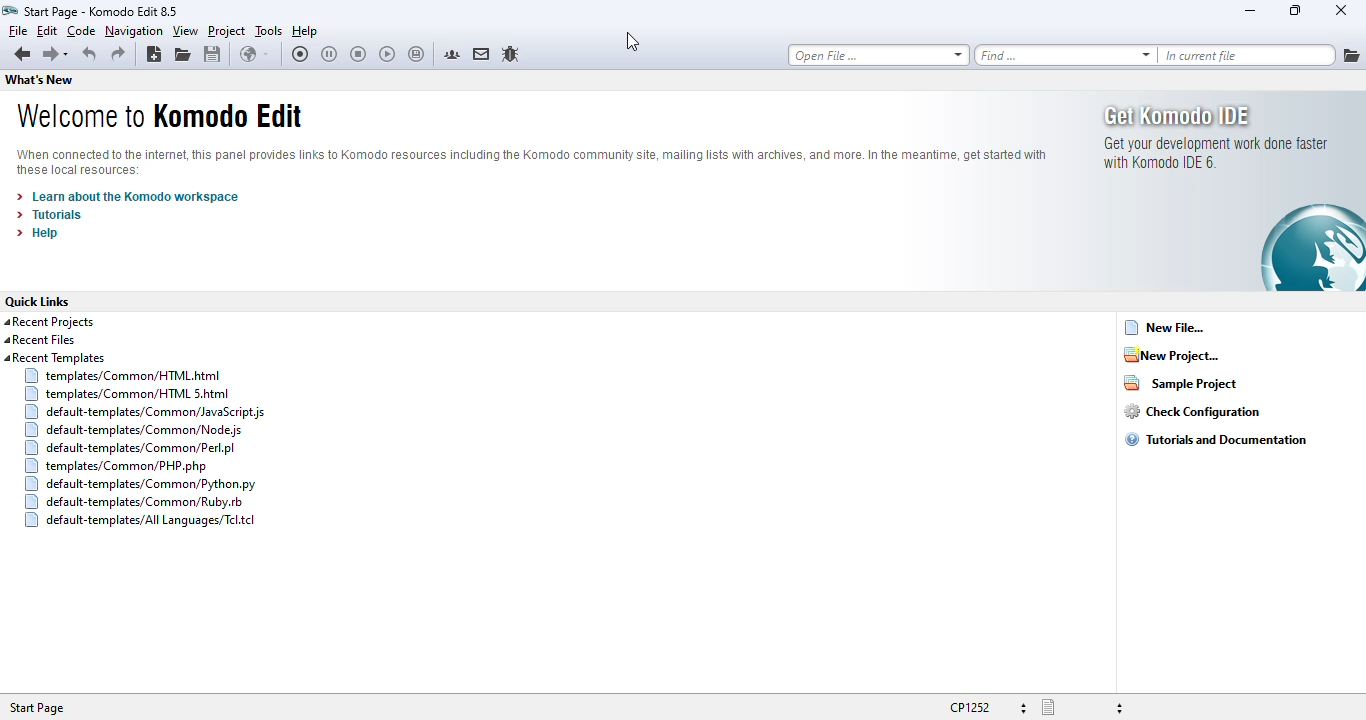  Describe the element at coordinates (1294, 9) in the screenshot. I see `maximize` at that location.